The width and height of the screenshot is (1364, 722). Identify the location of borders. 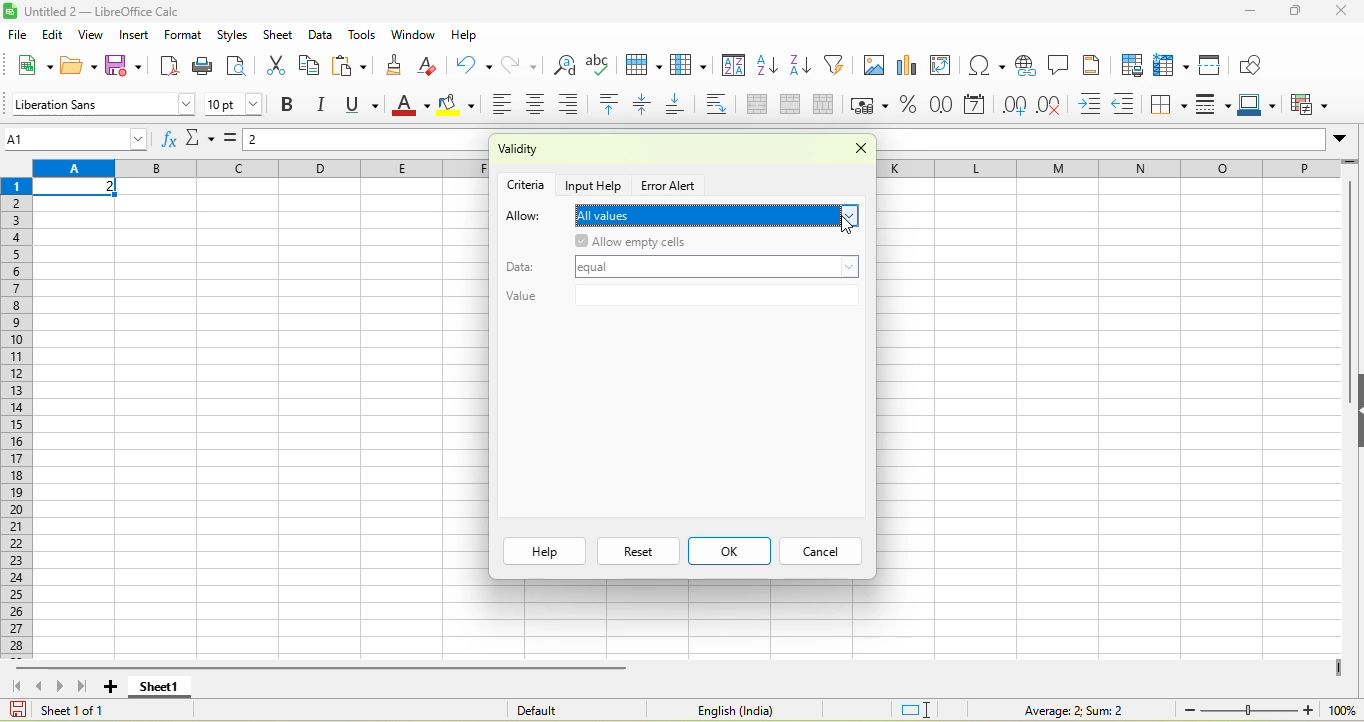
(1170, 105).